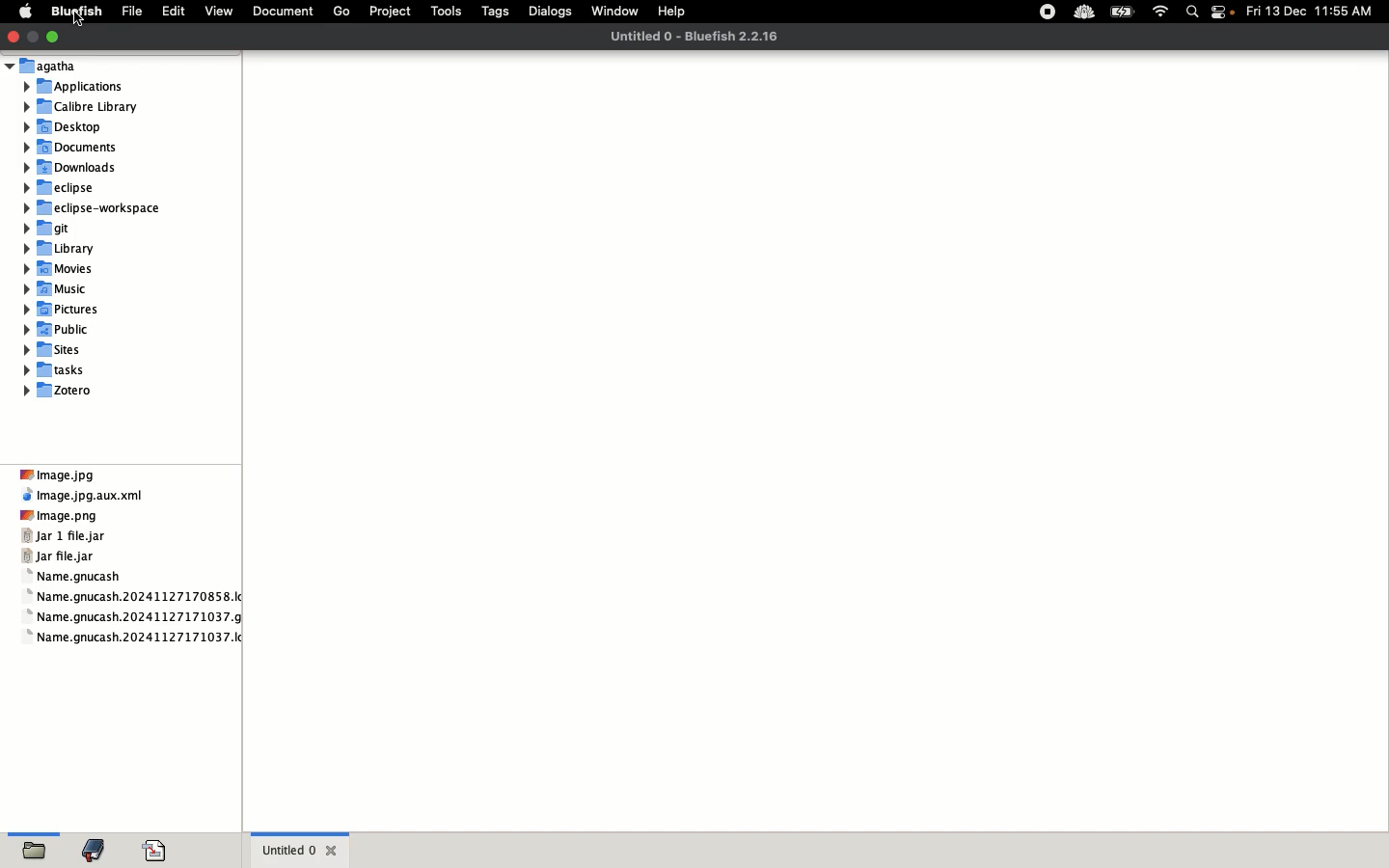 The image size is (1389, 868). I want to click on minimize, so click(34, 38).